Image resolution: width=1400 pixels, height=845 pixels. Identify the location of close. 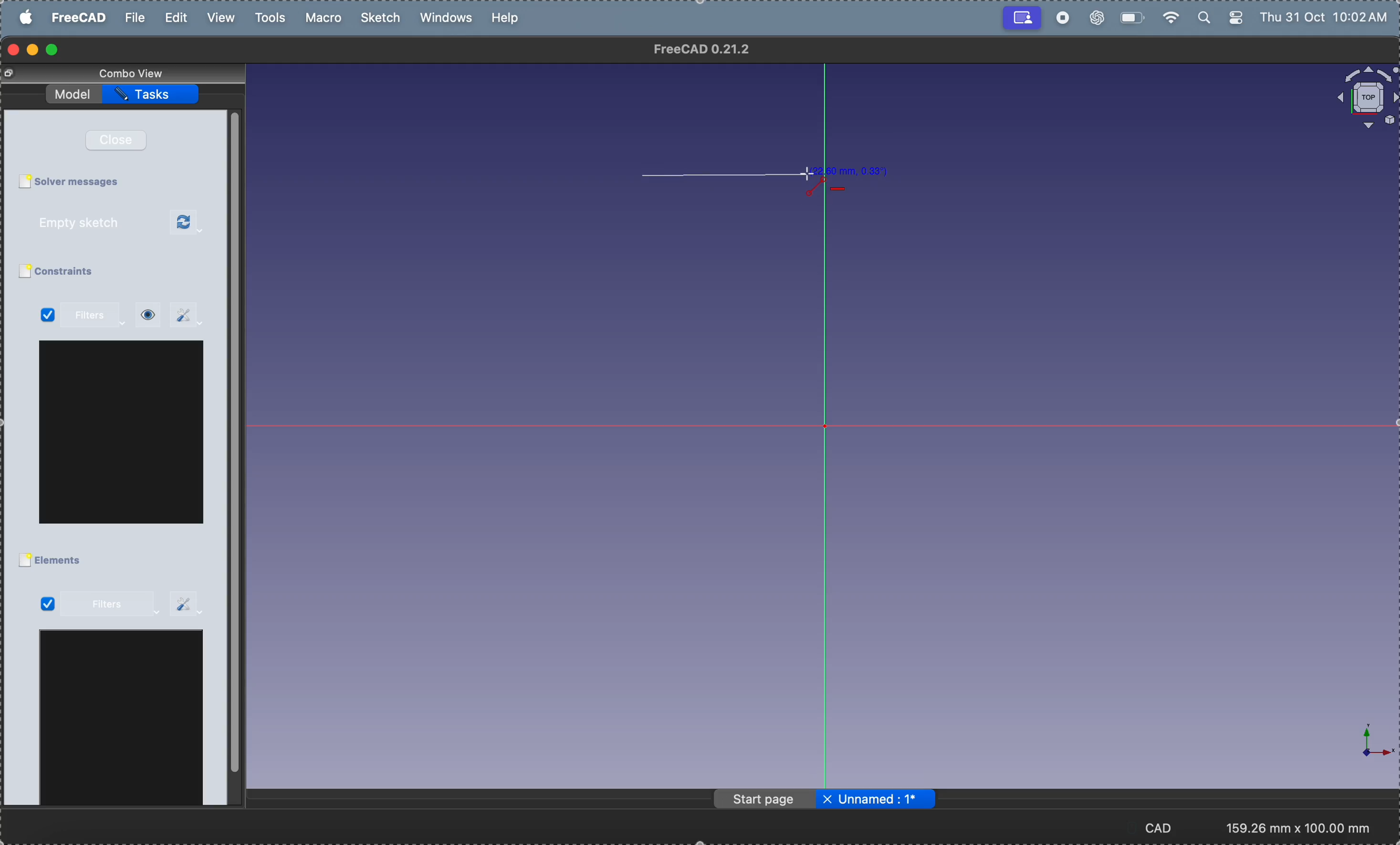
(122, 140).